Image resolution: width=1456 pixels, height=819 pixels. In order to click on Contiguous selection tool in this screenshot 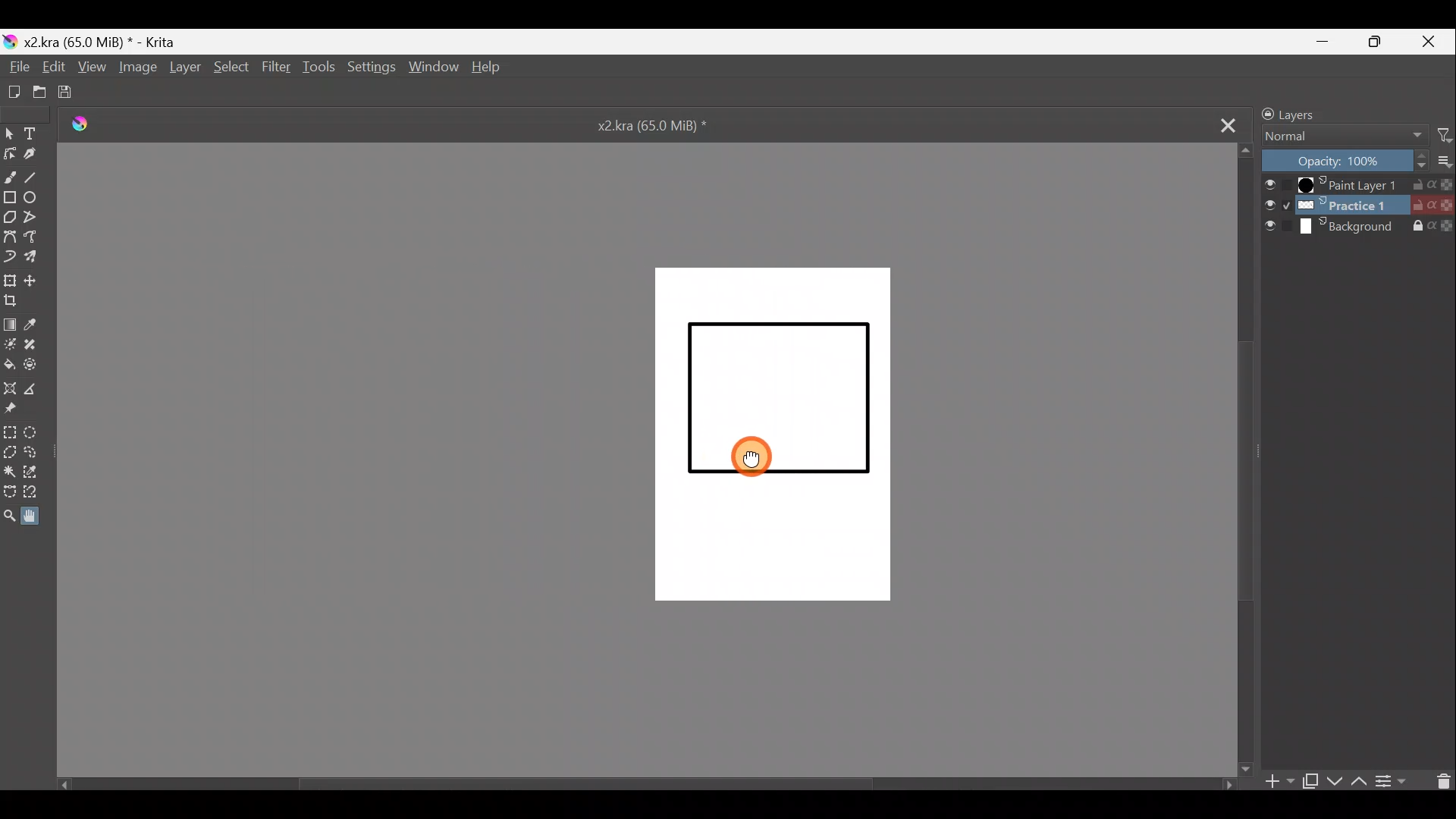, I will do `click(10, 472)`.